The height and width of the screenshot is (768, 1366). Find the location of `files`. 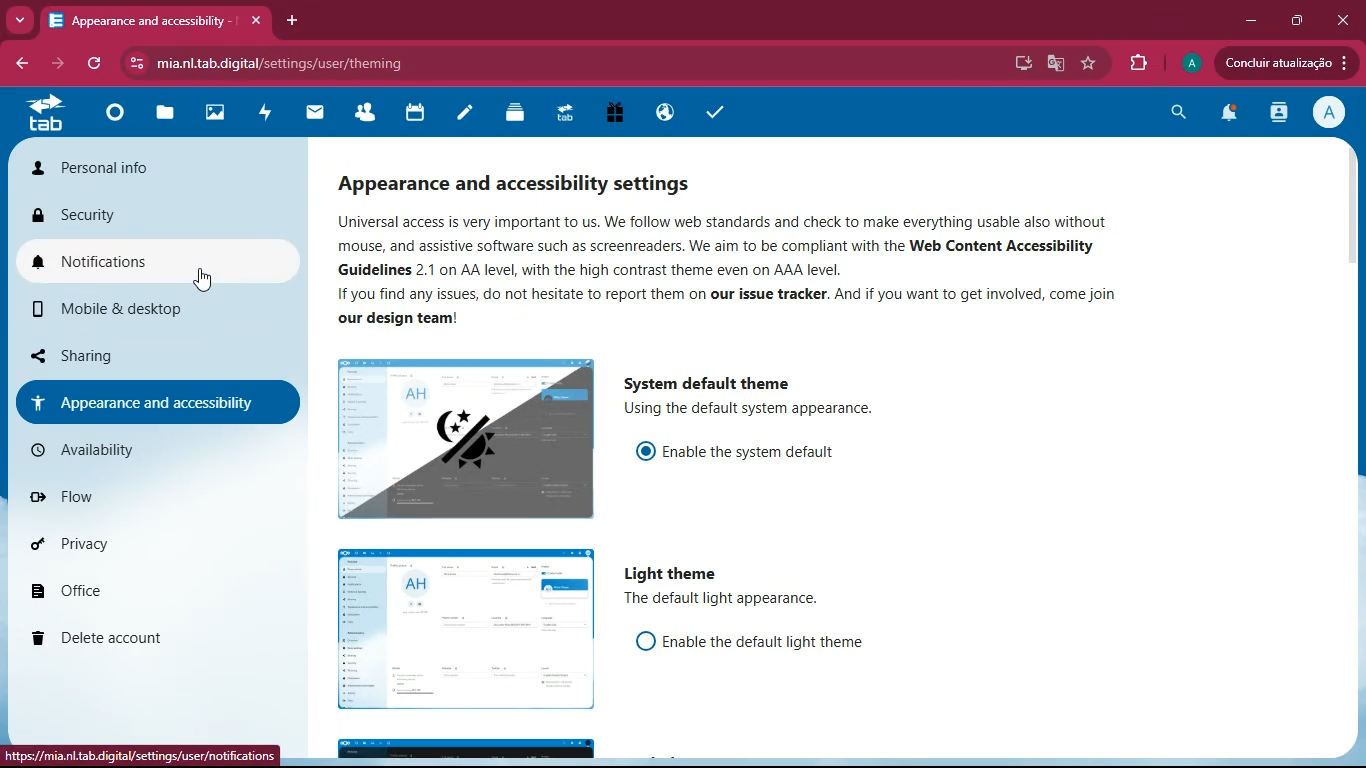

files is located at coordinates (167, 115).